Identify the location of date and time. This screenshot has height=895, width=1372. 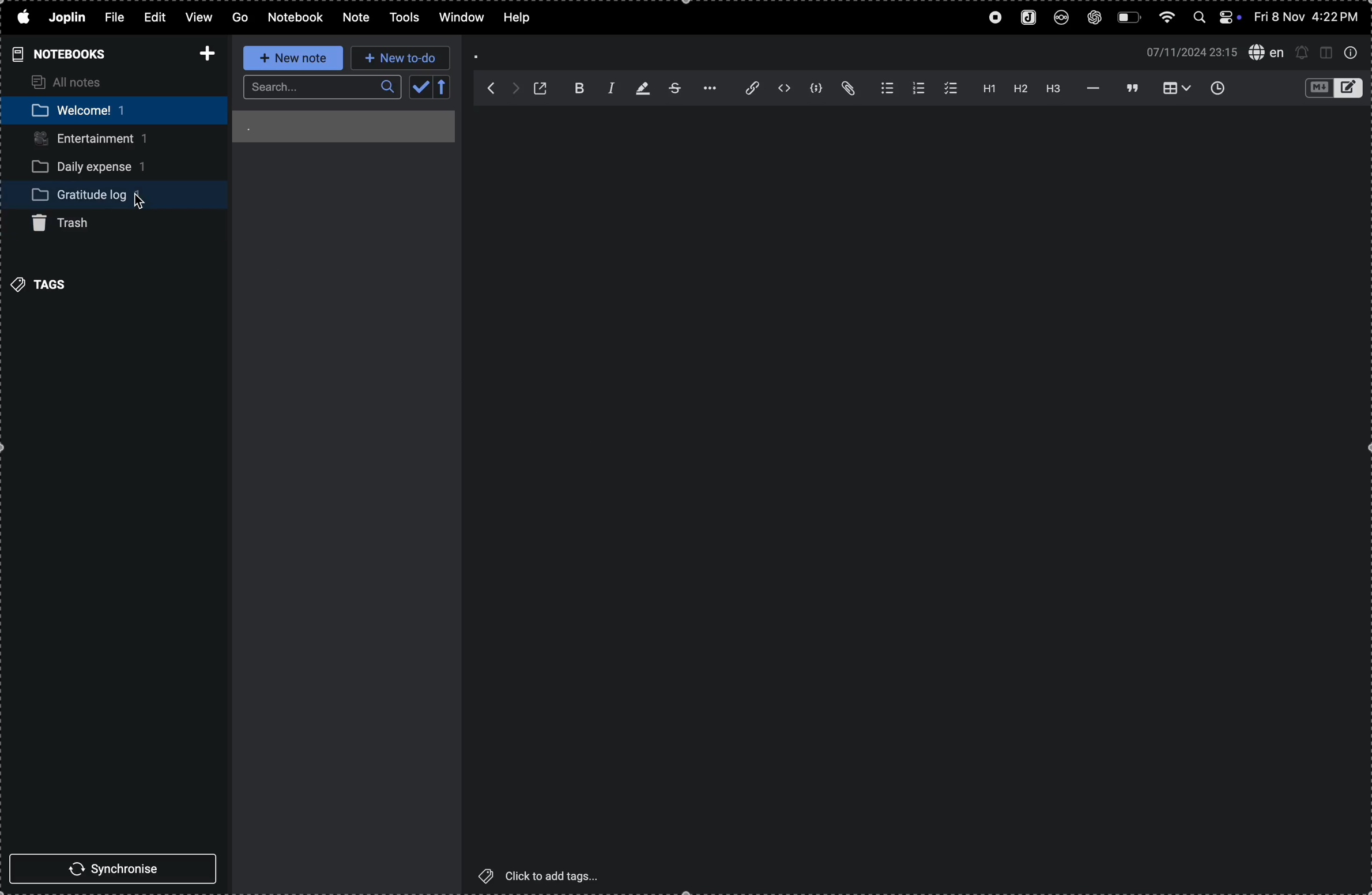
(1190, 51).